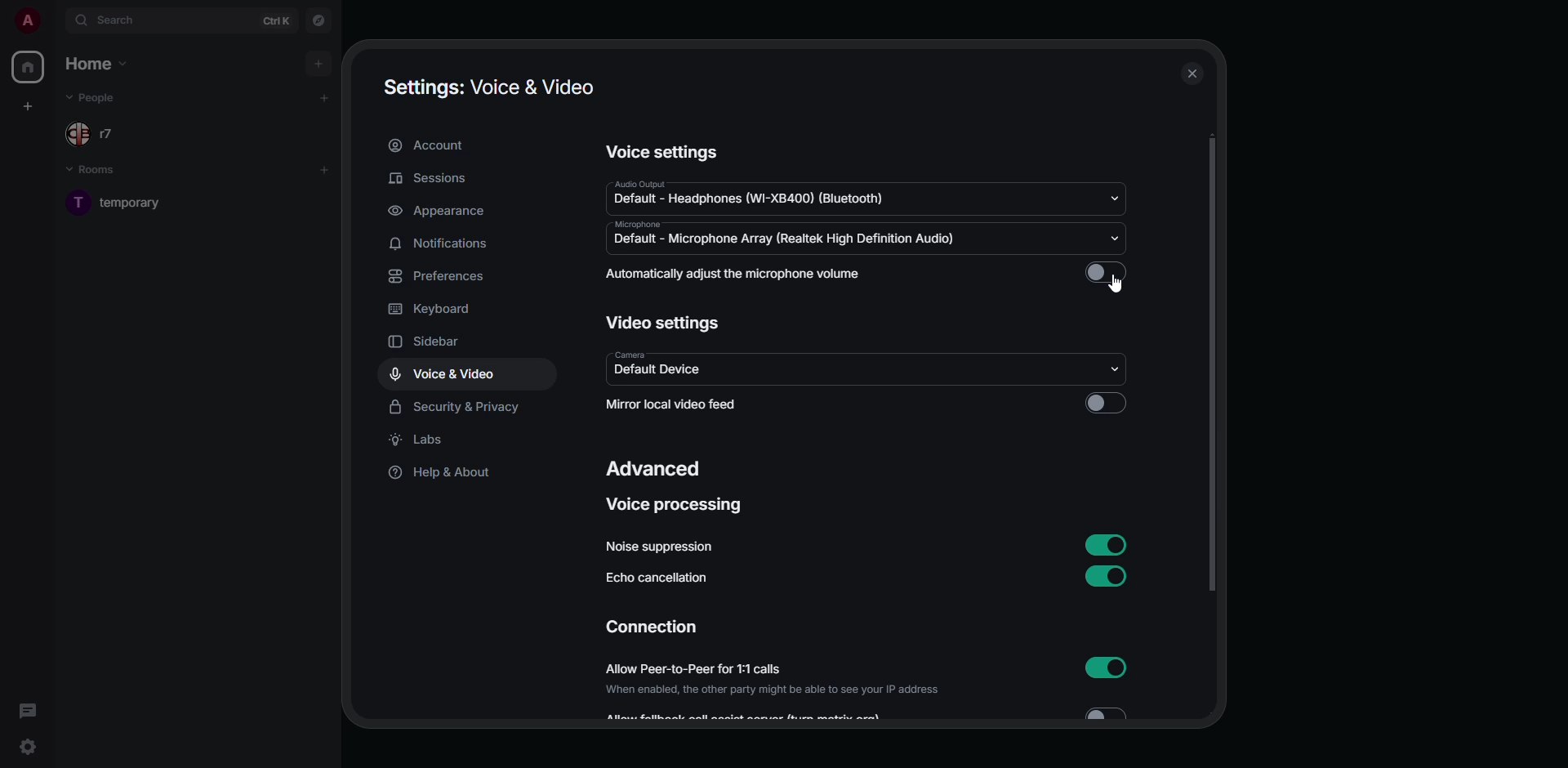 This screenshot has width=1568, height=768. What do you see at coordinates (1119, 284) in the screenshot?
I see `cursor` at bounding box center [1119, 284].